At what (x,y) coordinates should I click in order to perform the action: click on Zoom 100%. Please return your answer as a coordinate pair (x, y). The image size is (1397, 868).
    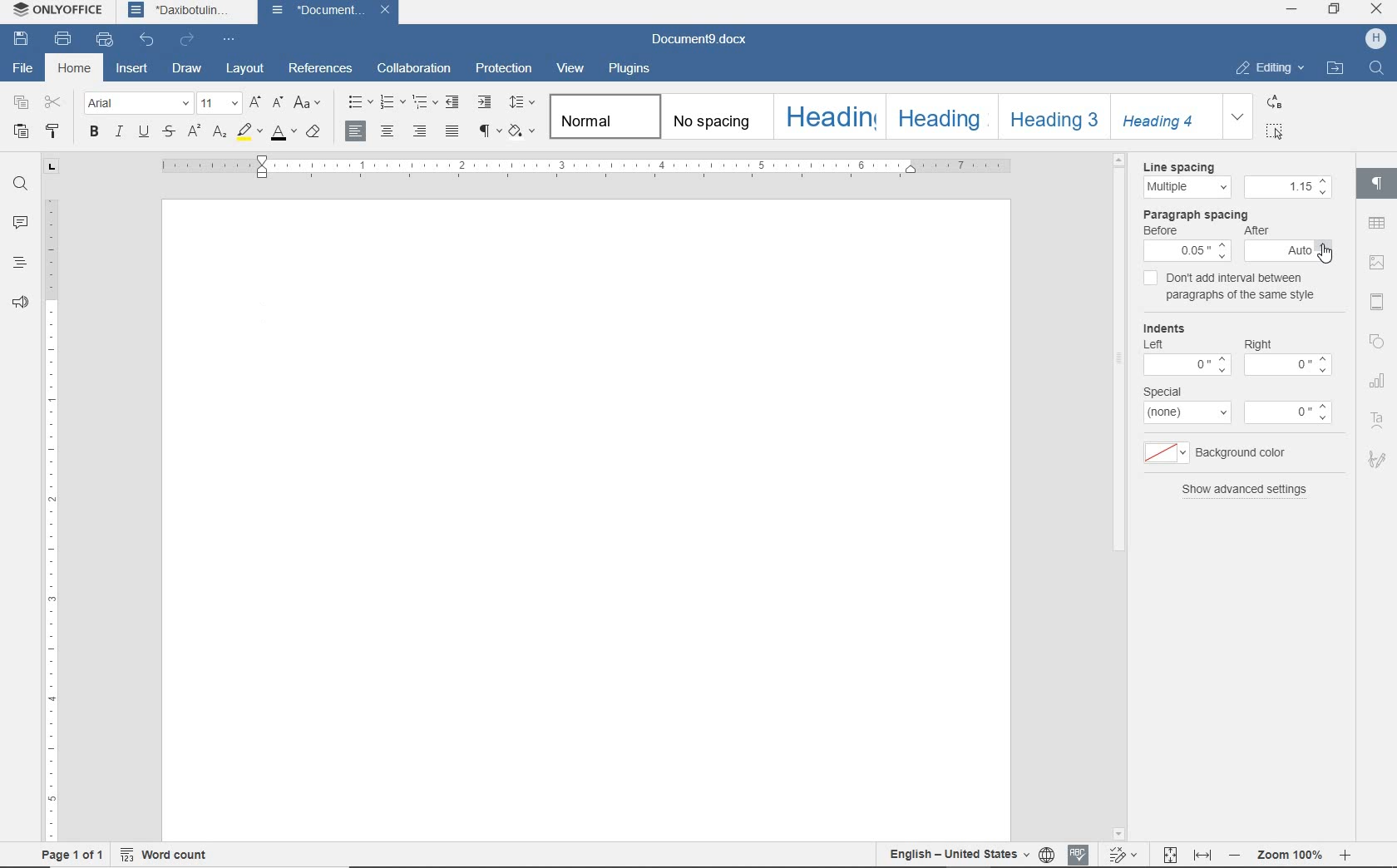
    Looking at the image, I should click on (1289, 855).